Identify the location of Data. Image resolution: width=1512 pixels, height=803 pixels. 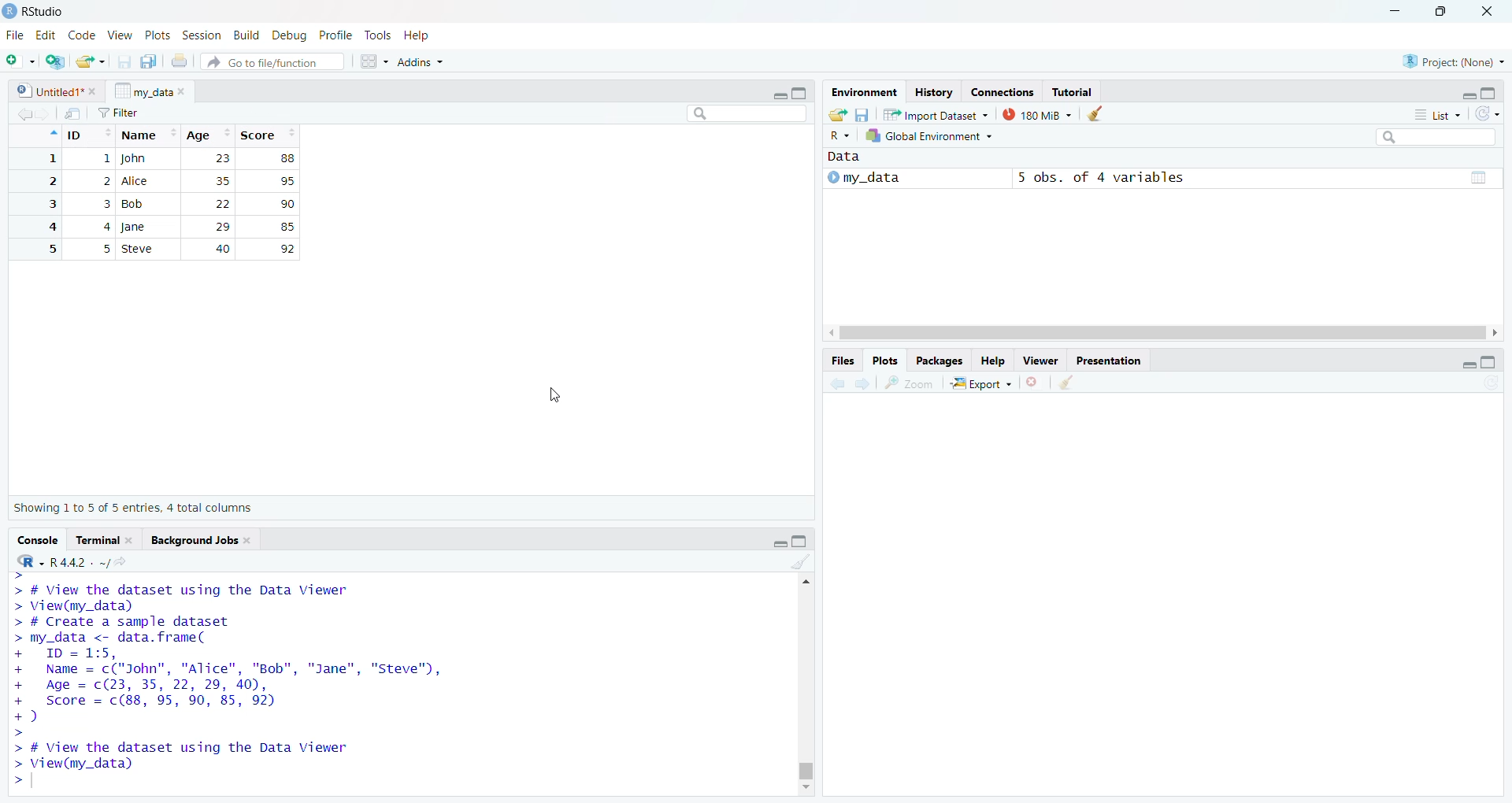
(842, 157).